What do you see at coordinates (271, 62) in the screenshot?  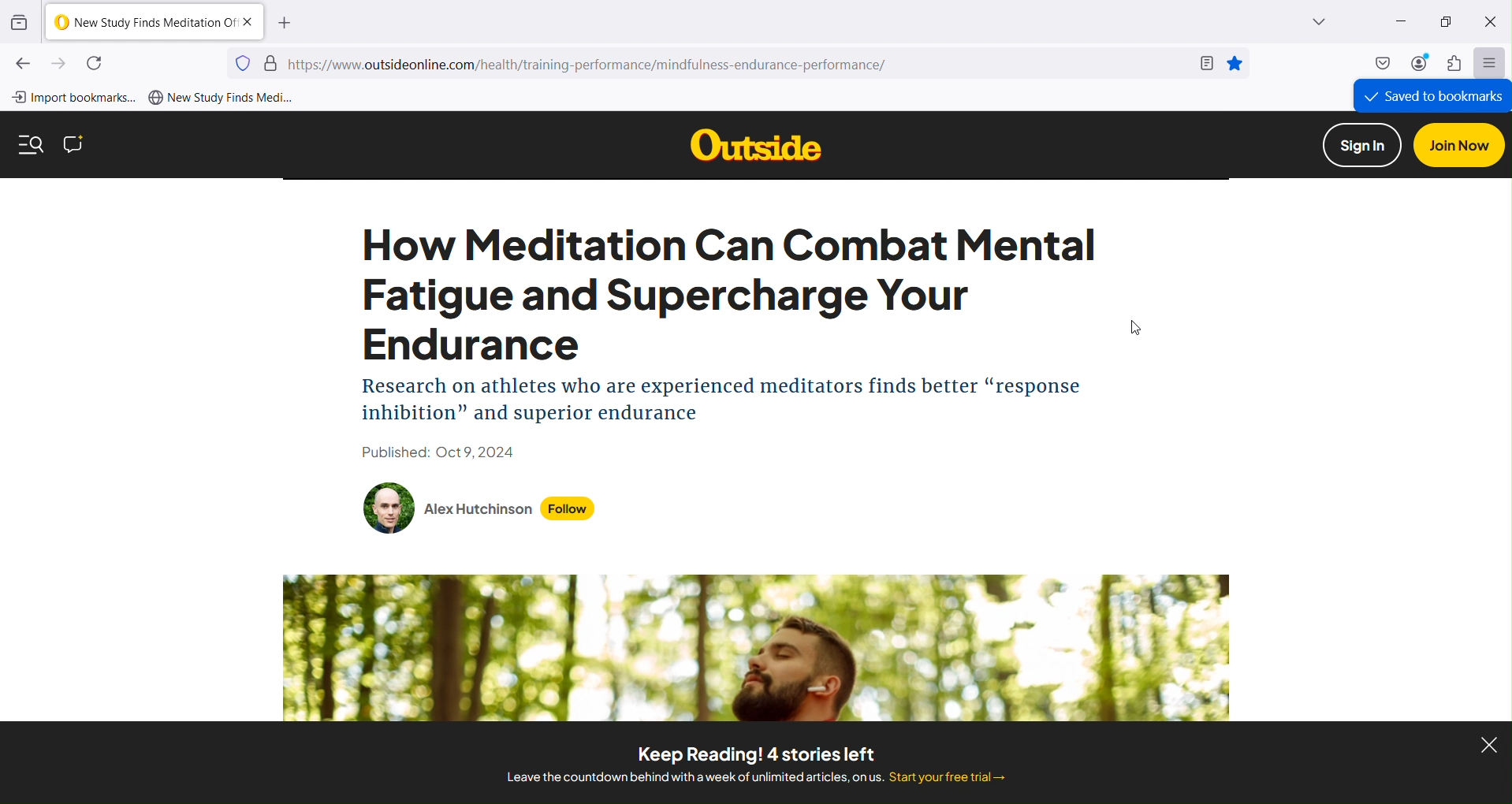 I see `Site verification status` at bounding box center [271, 62].